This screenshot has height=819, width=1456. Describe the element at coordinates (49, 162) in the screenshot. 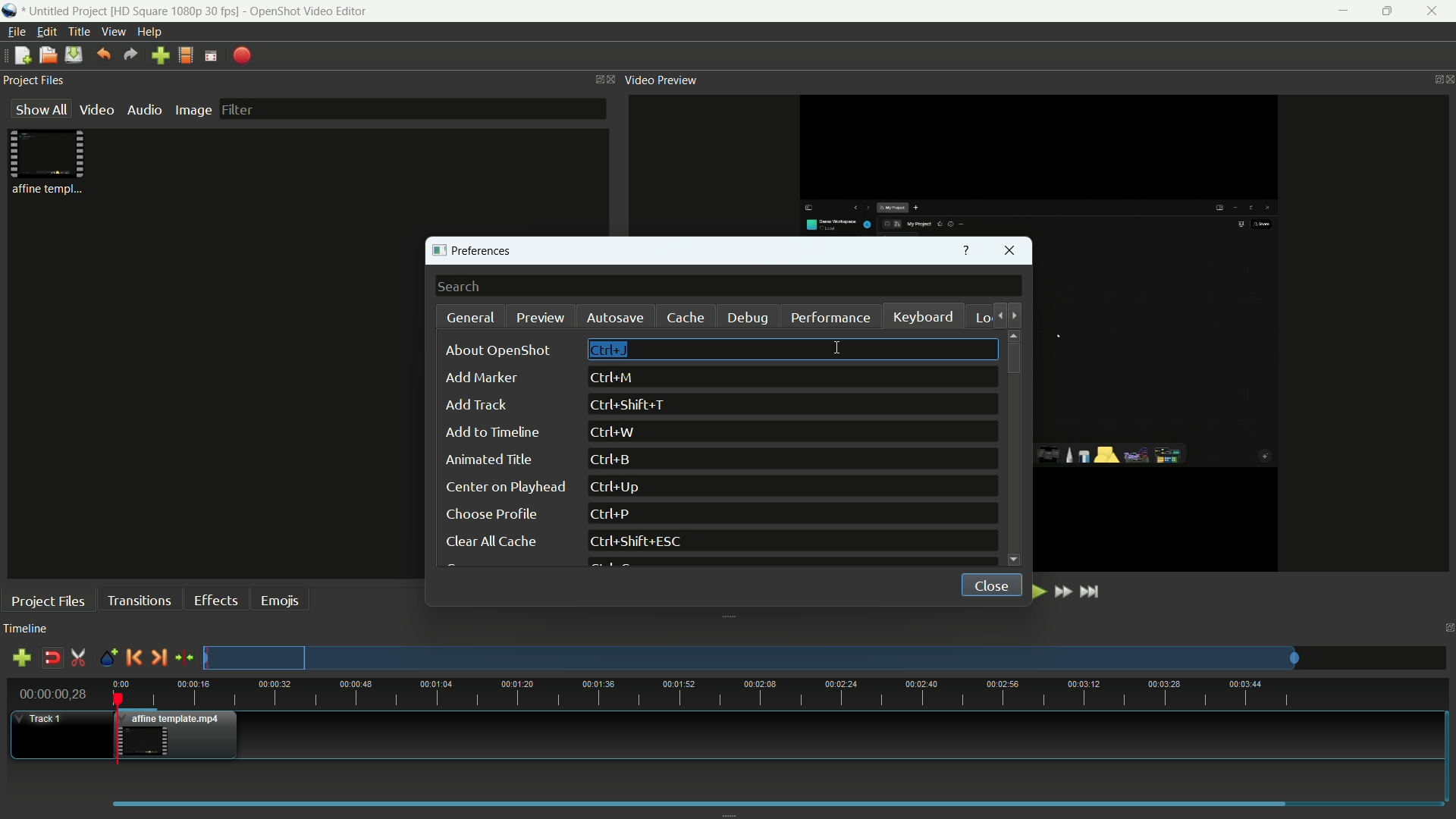

I see `project file` at that location.